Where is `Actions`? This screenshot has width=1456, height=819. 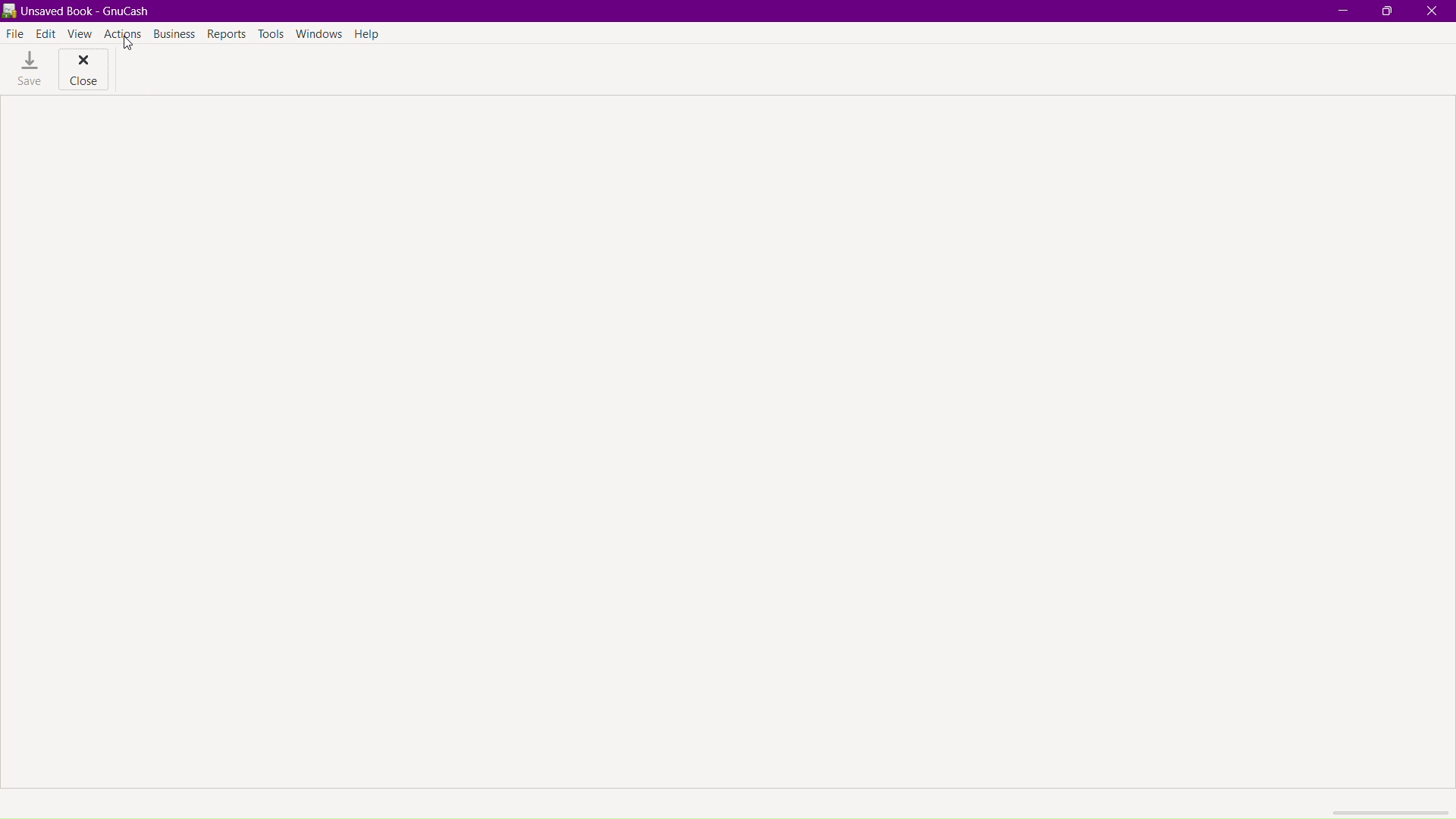
Actions is located at coordinates (121, 33).